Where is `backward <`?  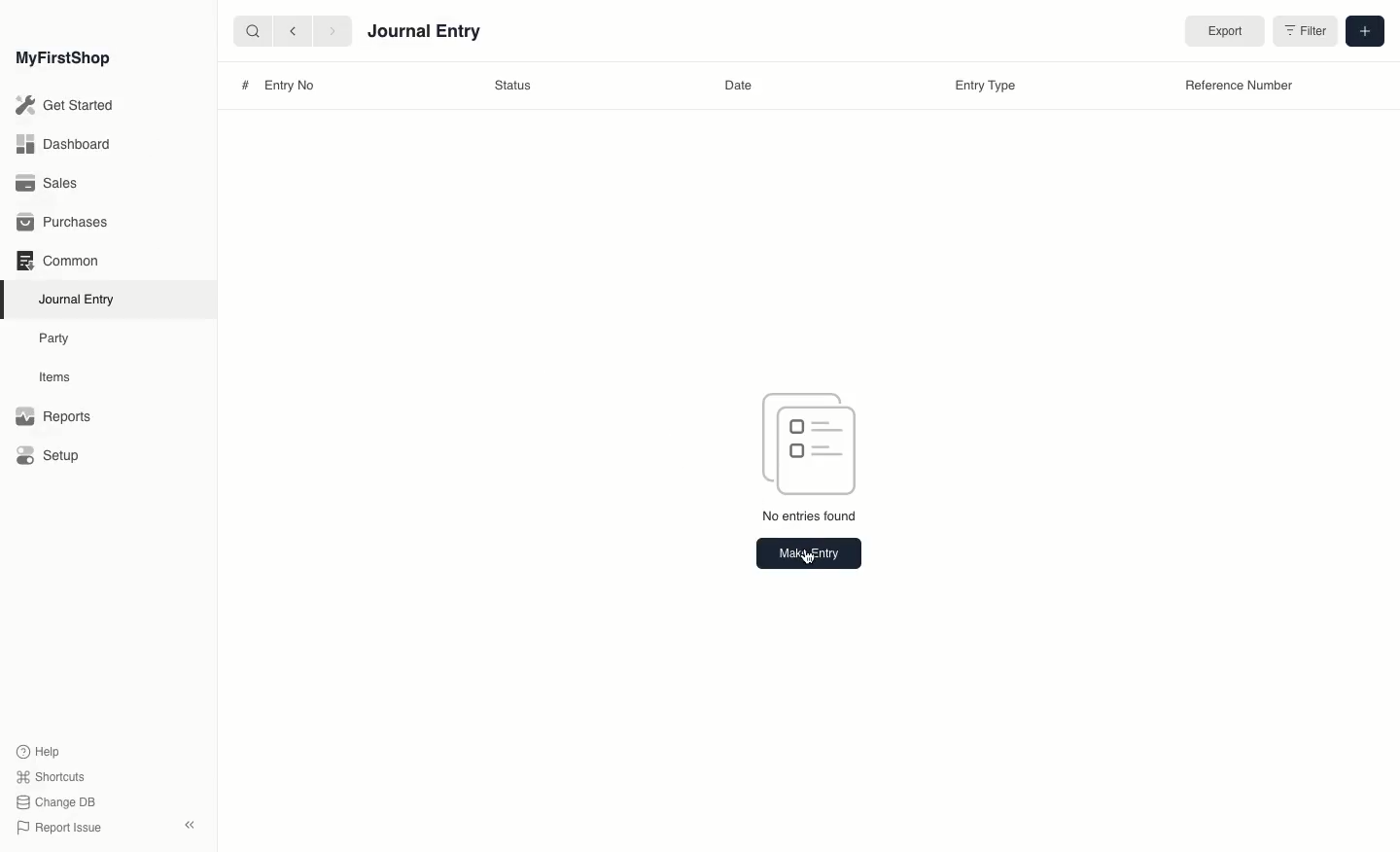 backward < is located at coordinates (288, 31).